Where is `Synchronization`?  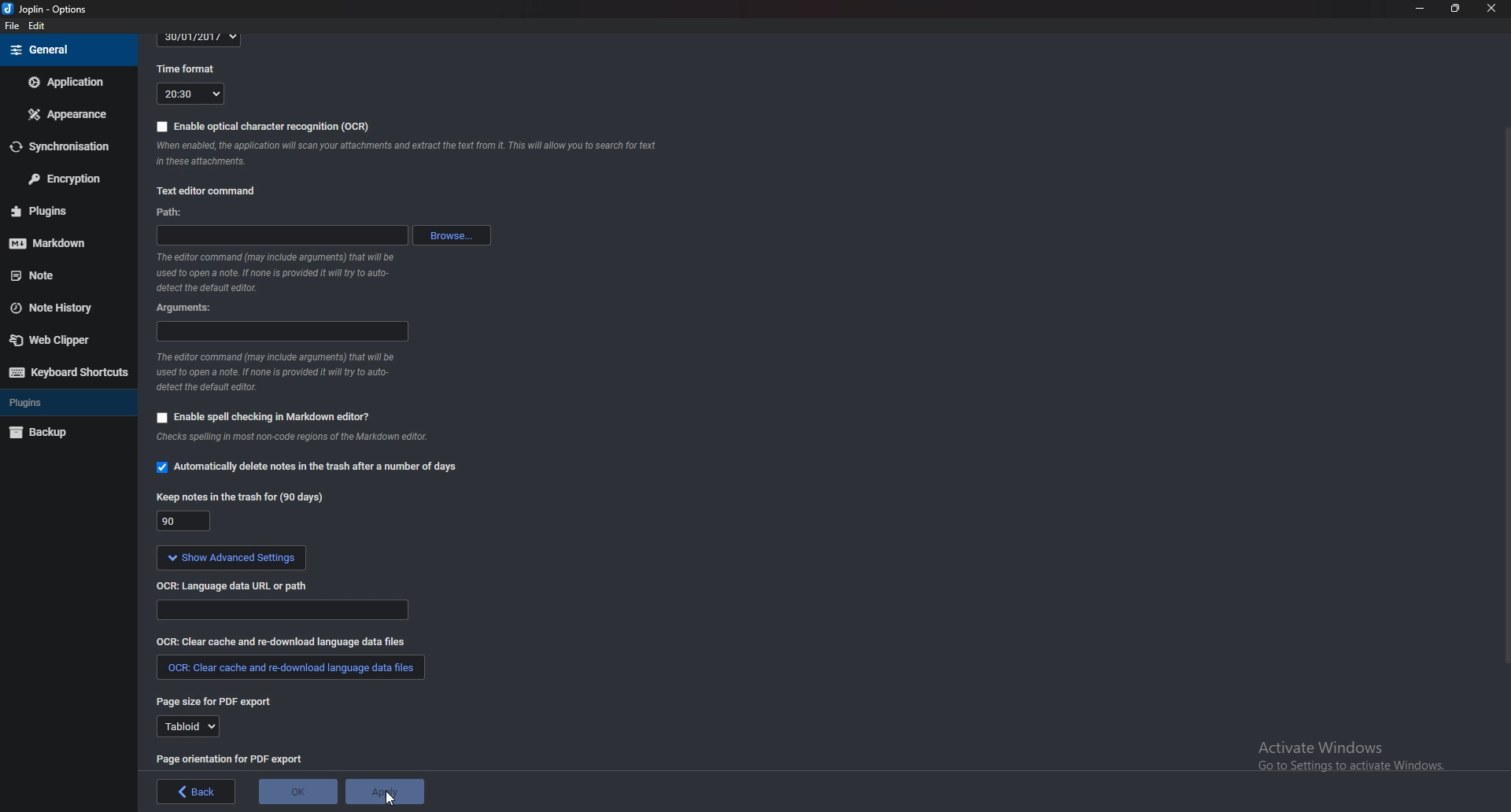
Synchronization is located at coordinates (66, 145).